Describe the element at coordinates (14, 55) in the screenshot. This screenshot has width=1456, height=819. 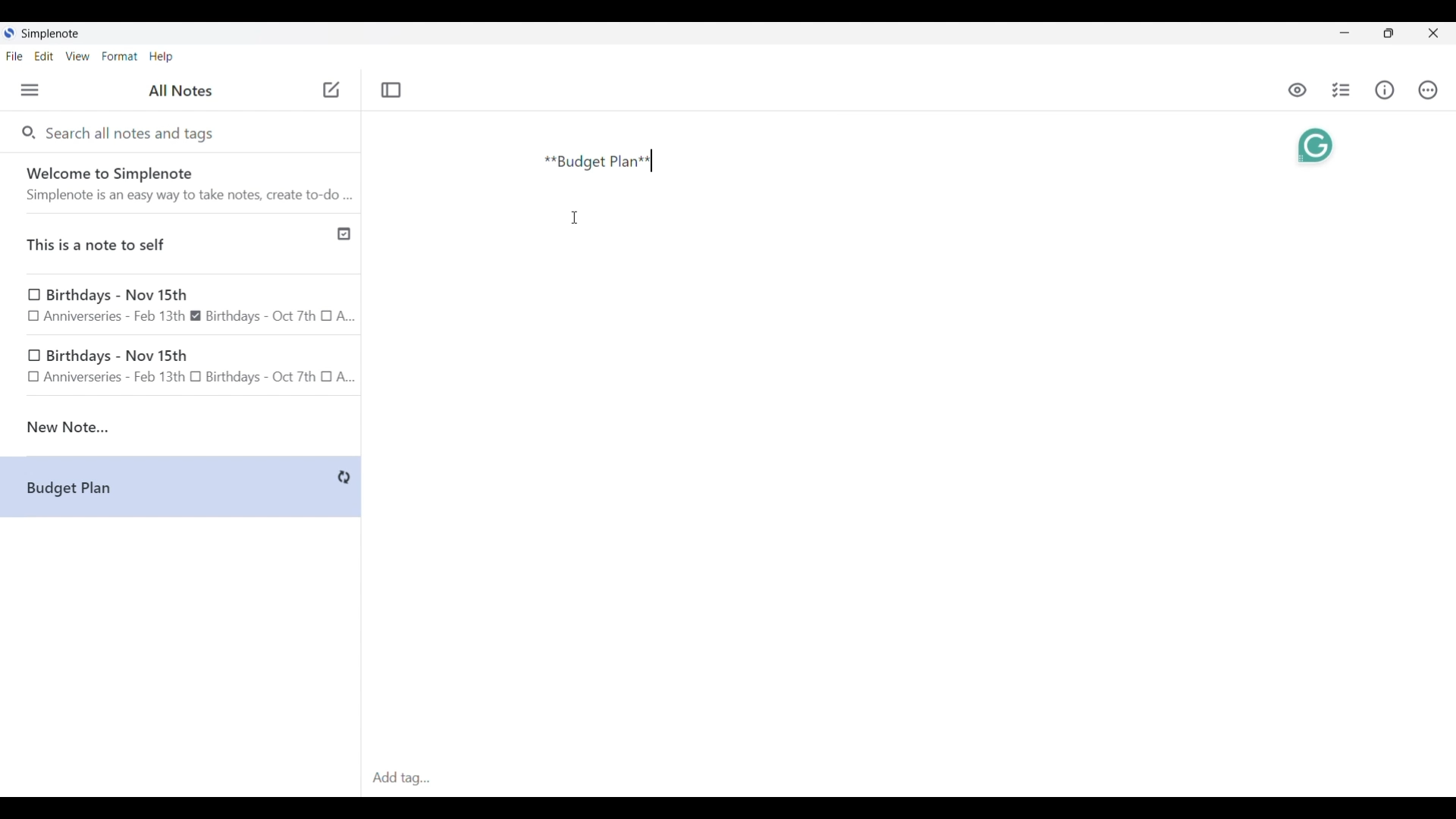
I see `File menu` at that location.